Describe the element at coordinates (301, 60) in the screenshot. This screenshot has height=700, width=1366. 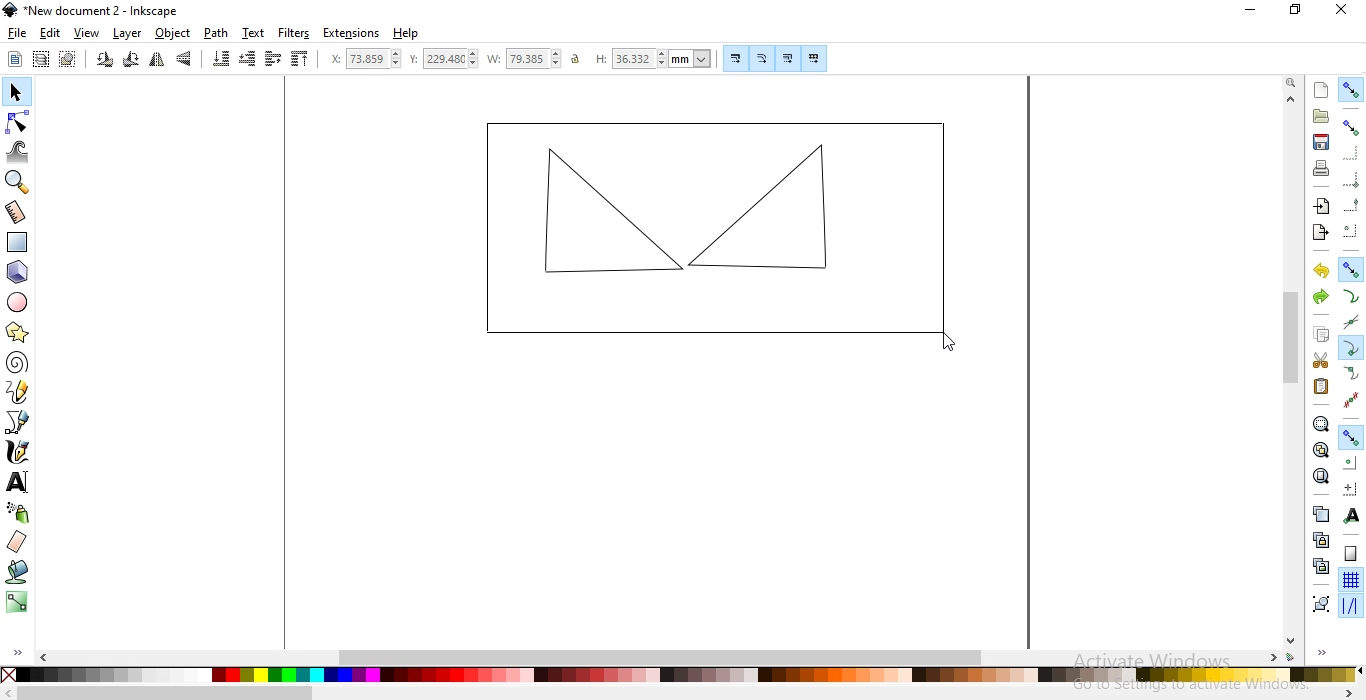
I see `raise selection to top` at that location.